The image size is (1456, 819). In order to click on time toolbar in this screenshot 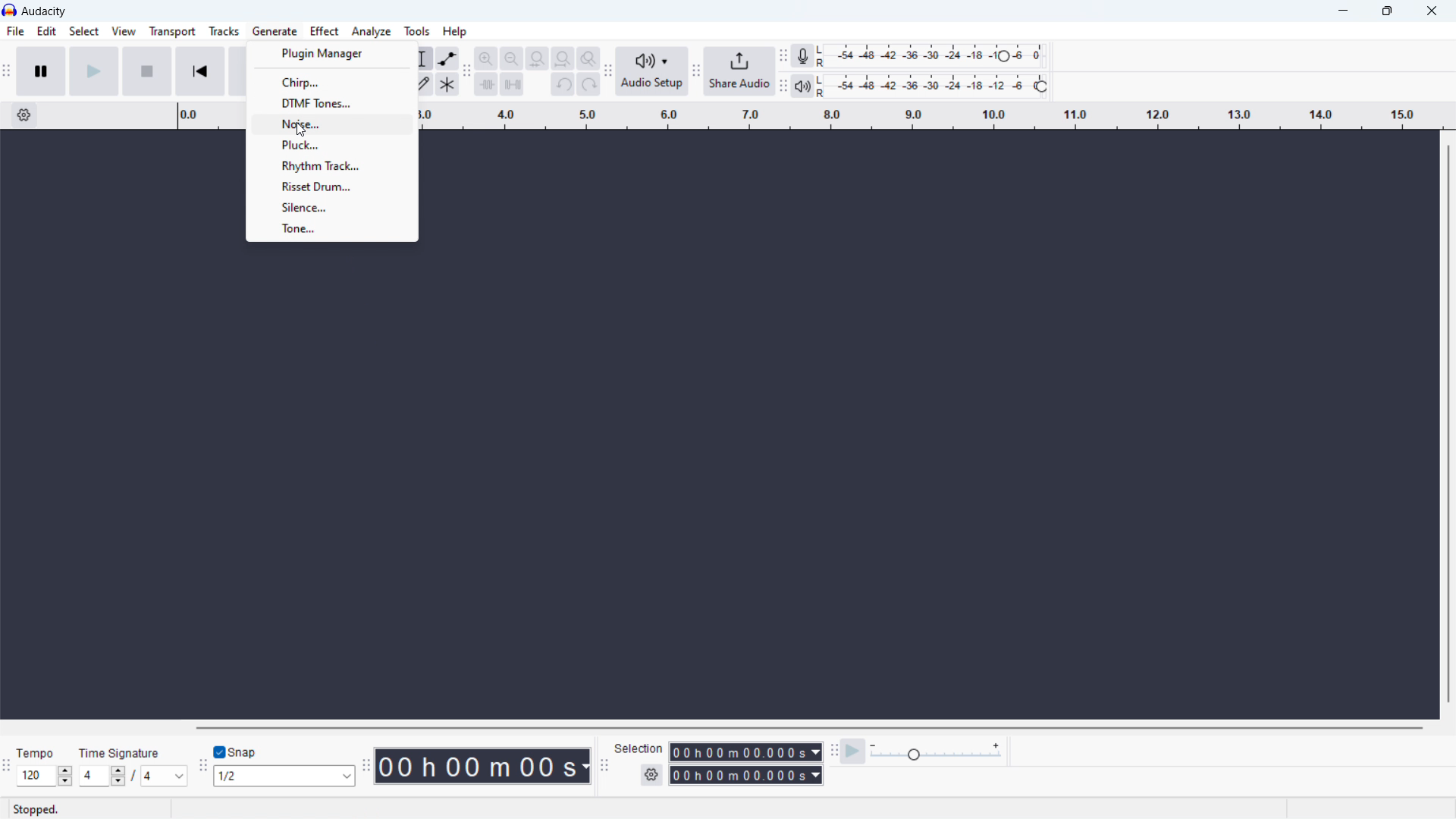, I will do `click(366, 762)`.